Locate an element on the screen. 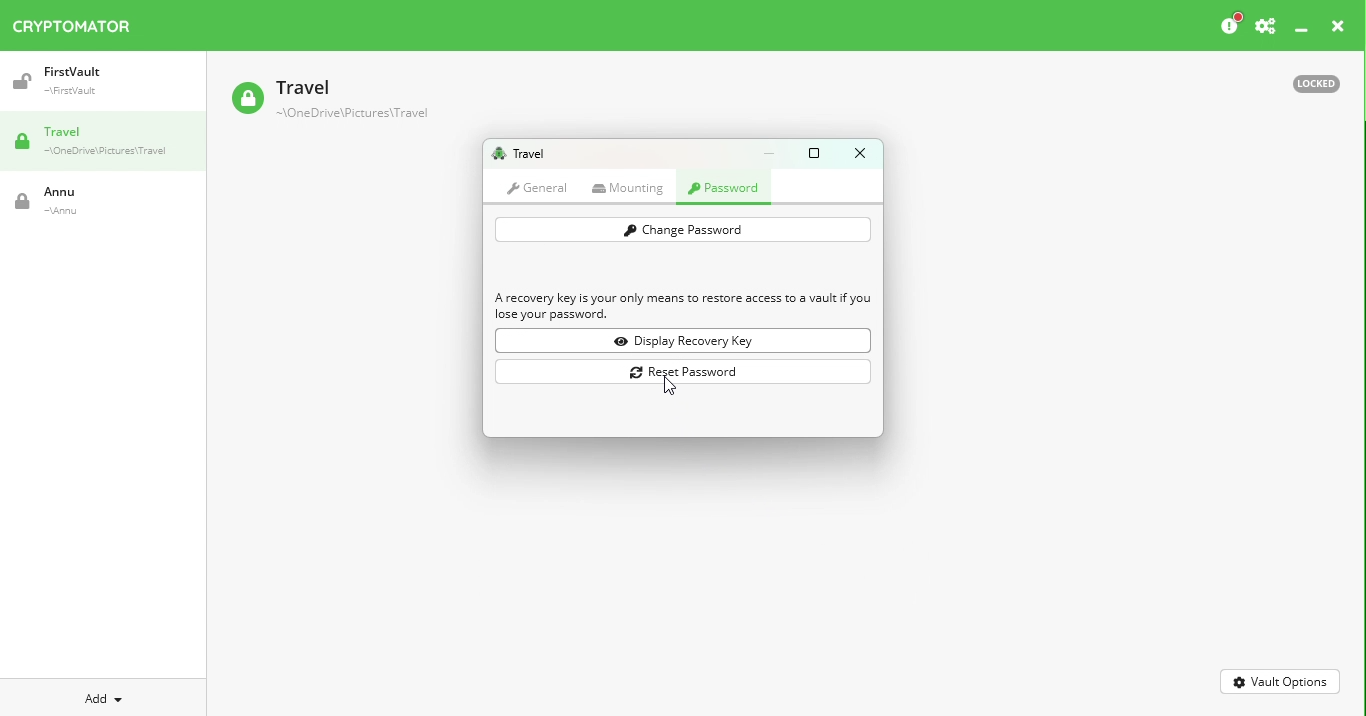 This screenshot has height=716, width=1366. Add new vault is located at coordinates (104, 696).